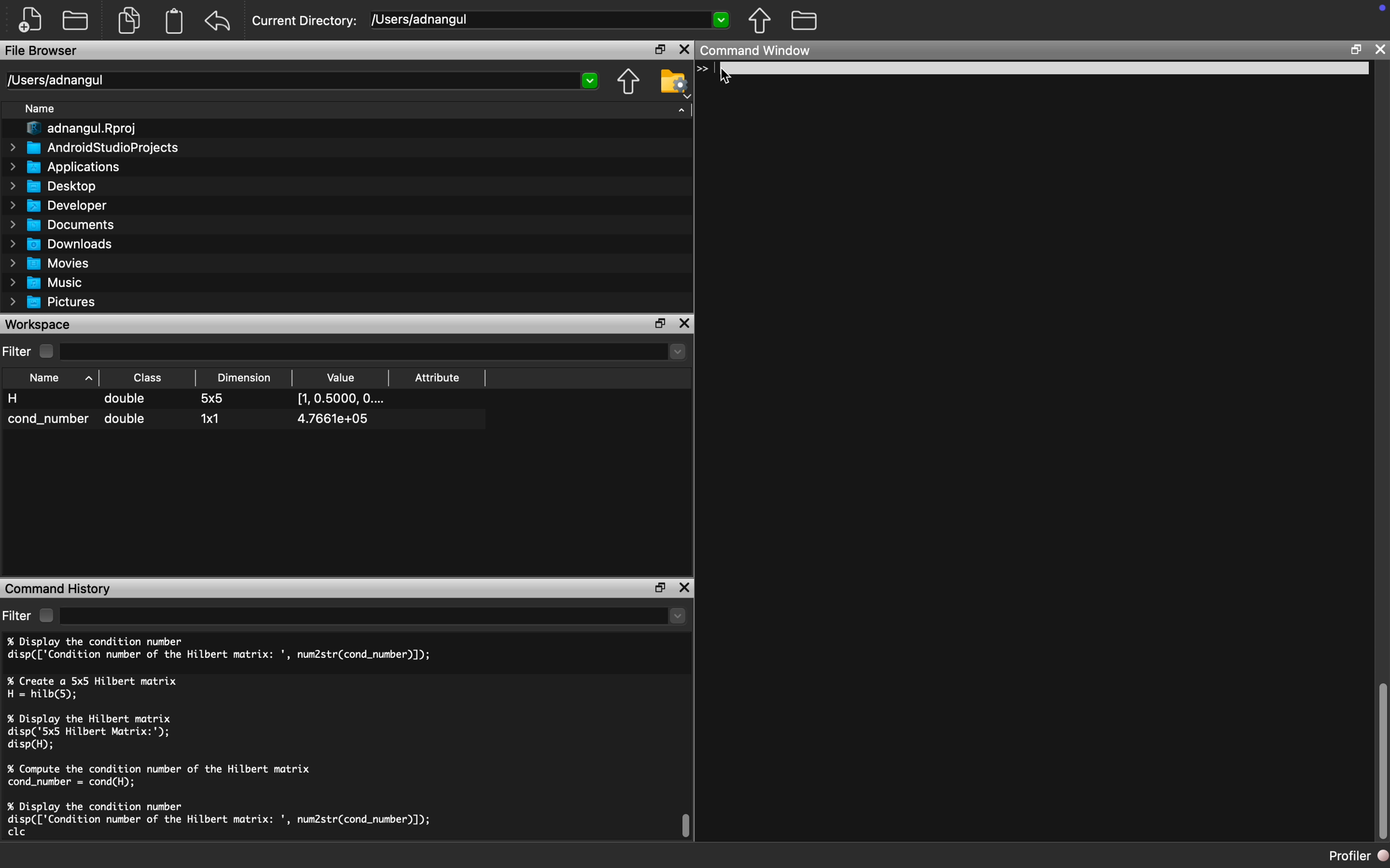 Image resolution: width=1390 pixels, height=868 pixels. I want to click on Desktop, so click(53, 187).